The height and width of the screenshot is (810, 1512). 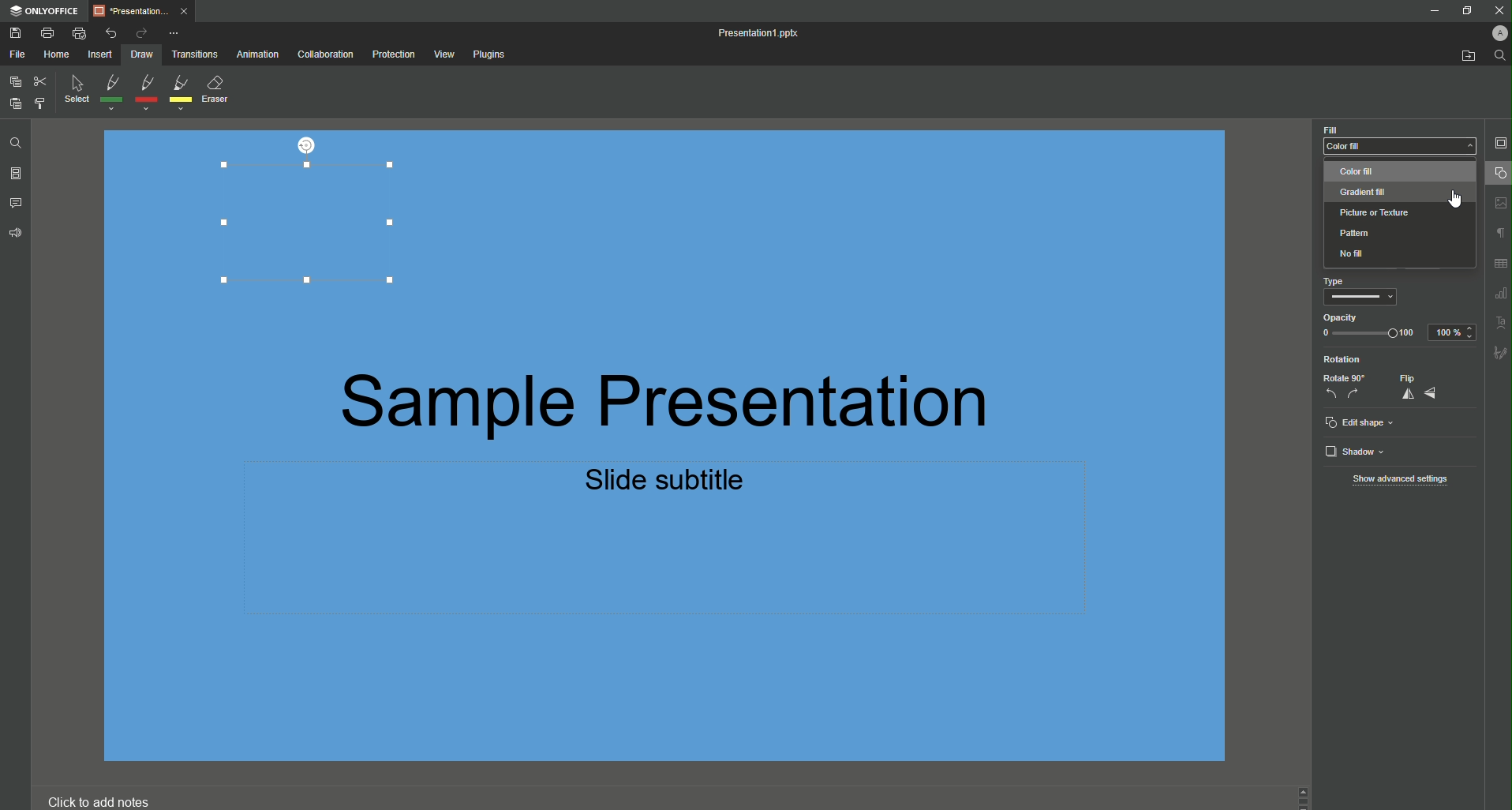 I want to click on Copy, so click(x=13, y=82).